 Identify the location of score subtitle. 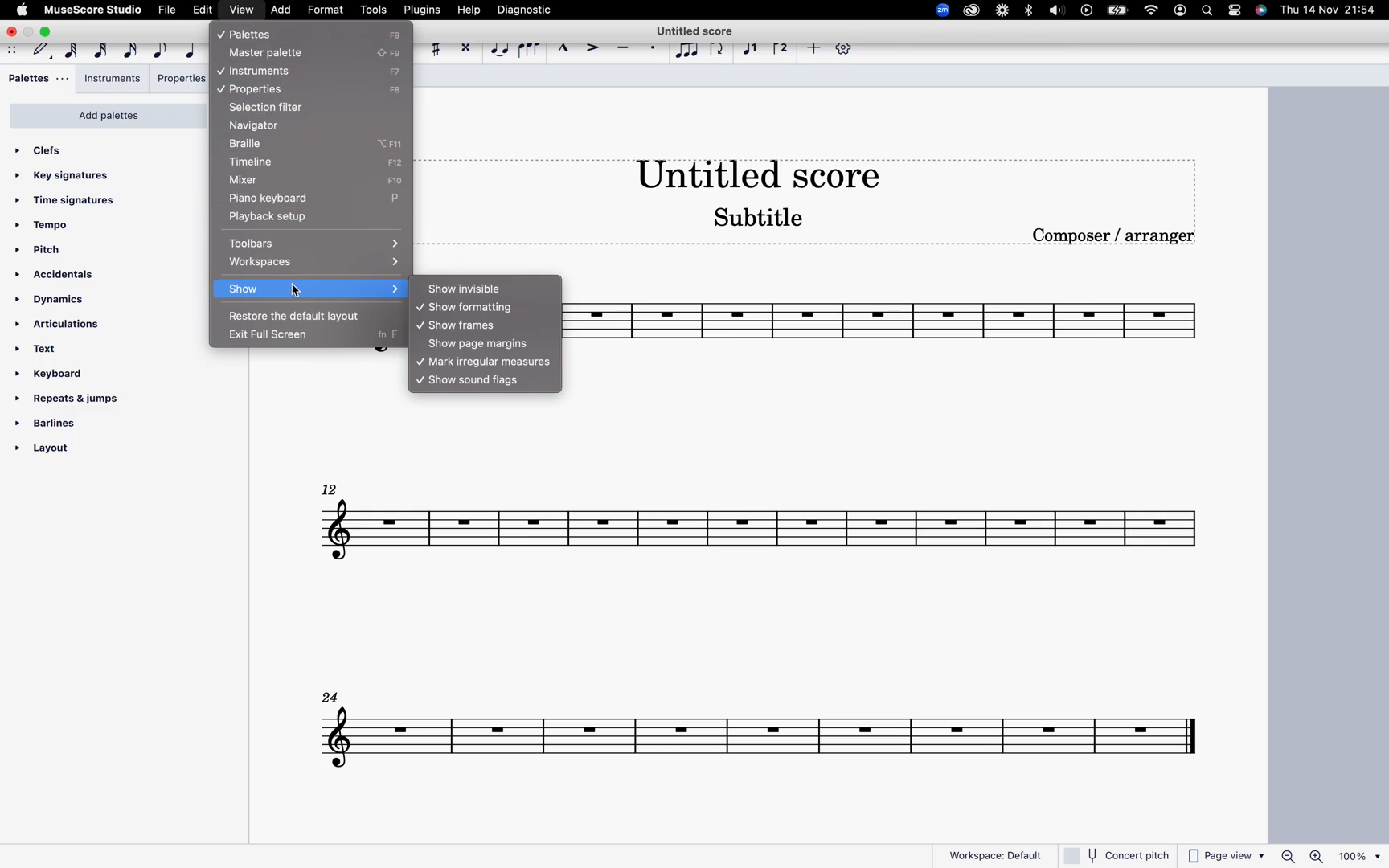
(754, 219).